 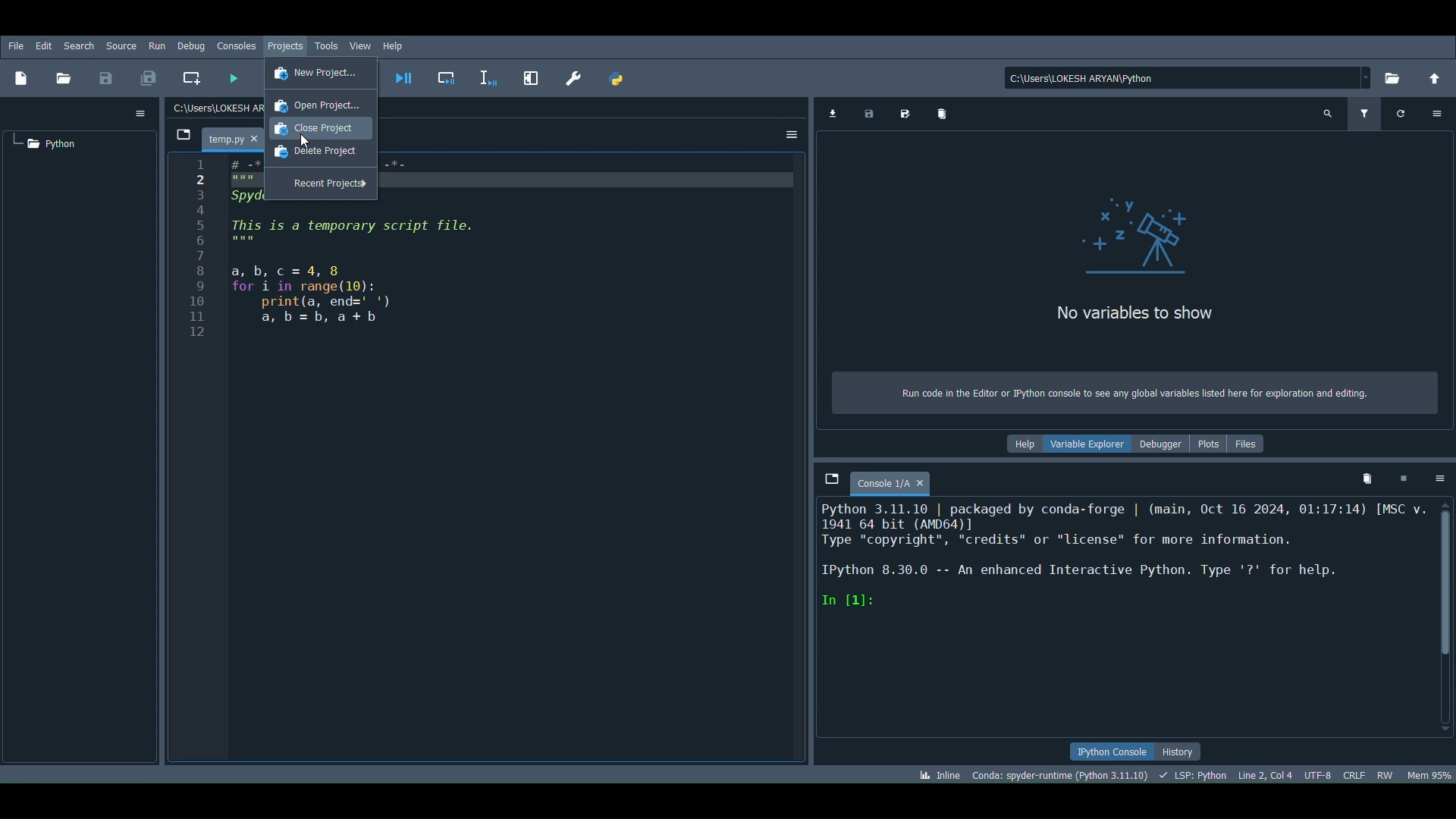 I want to click on Debug, so click(x=191, y=43).